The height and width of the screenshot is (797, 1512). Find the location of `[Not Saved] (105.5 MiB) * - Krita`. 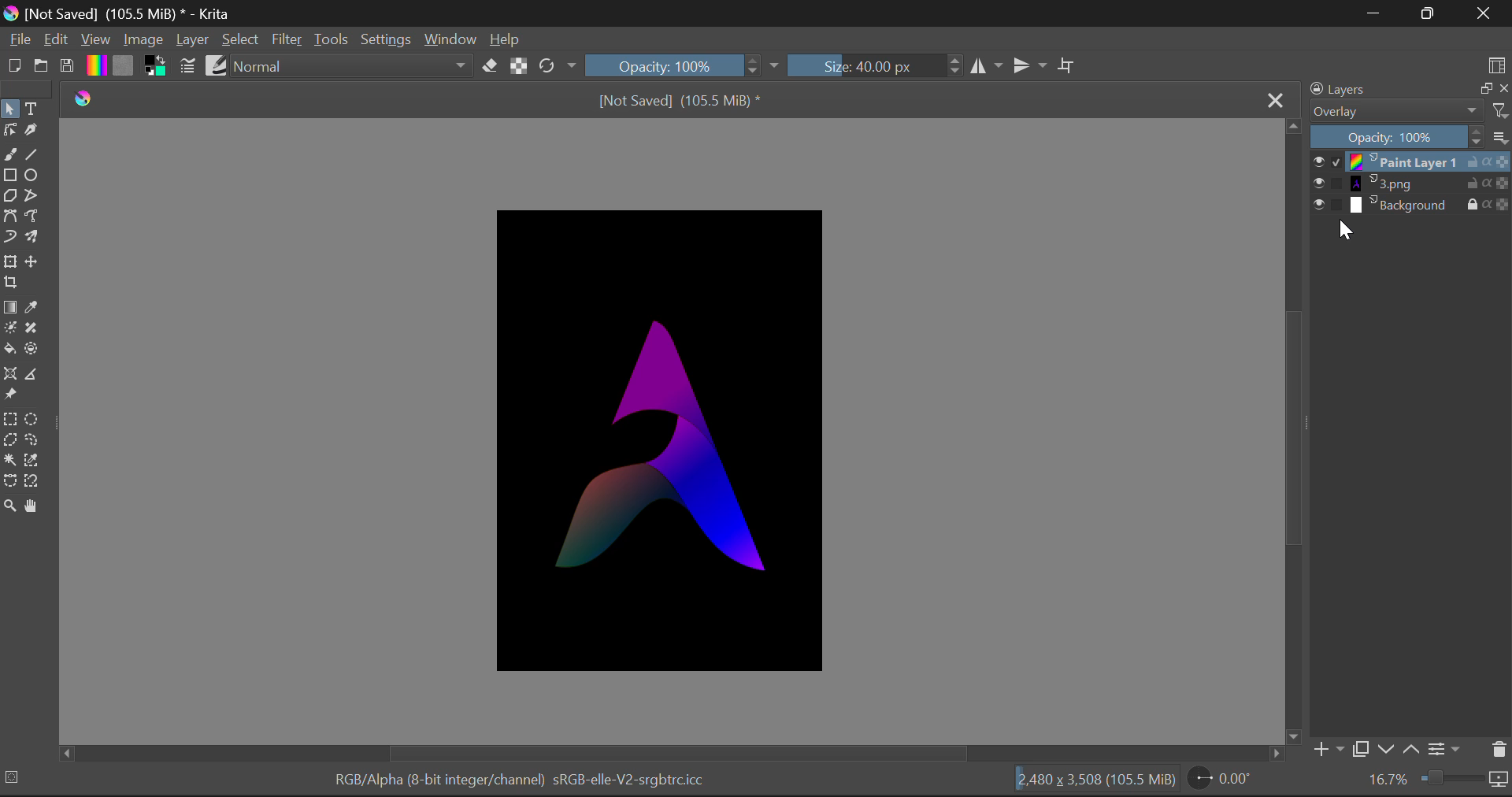

[Not Saved] (105.5 MiB) * - Krita is located at coordinates (131, 14).